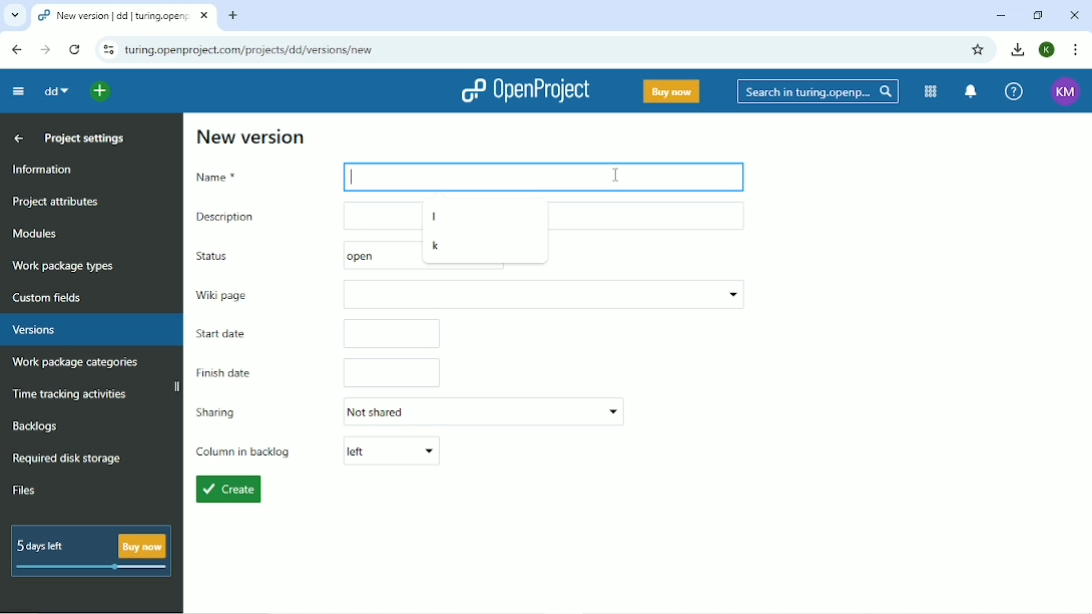 This screenshot has height=614, width=1092. What do you see at coordinates (46, 49) in the screenshot?
I see `Forward` at bounding box center [46, 49].